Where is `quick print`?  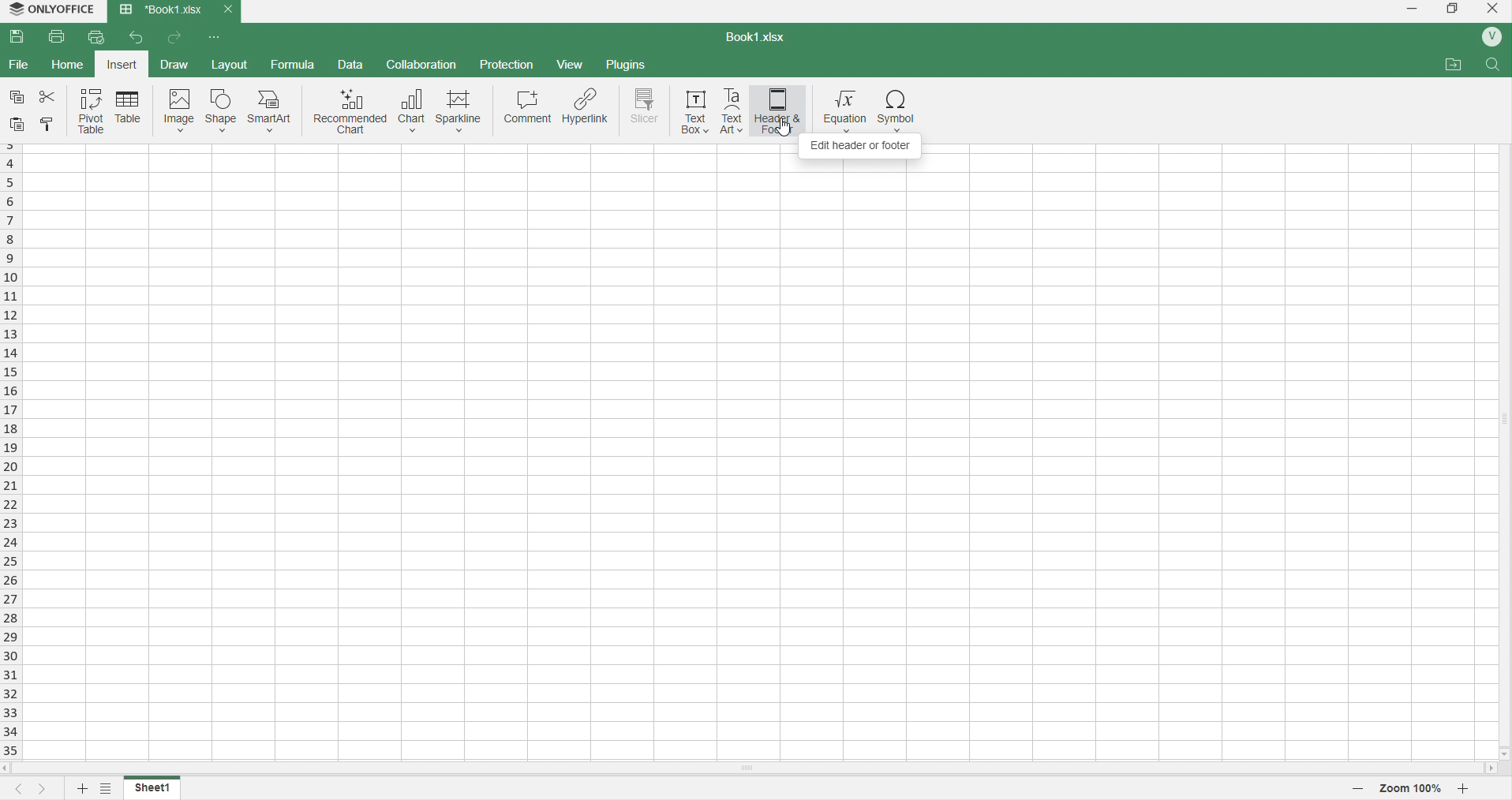
quick print is located at coordinates (99, 36).